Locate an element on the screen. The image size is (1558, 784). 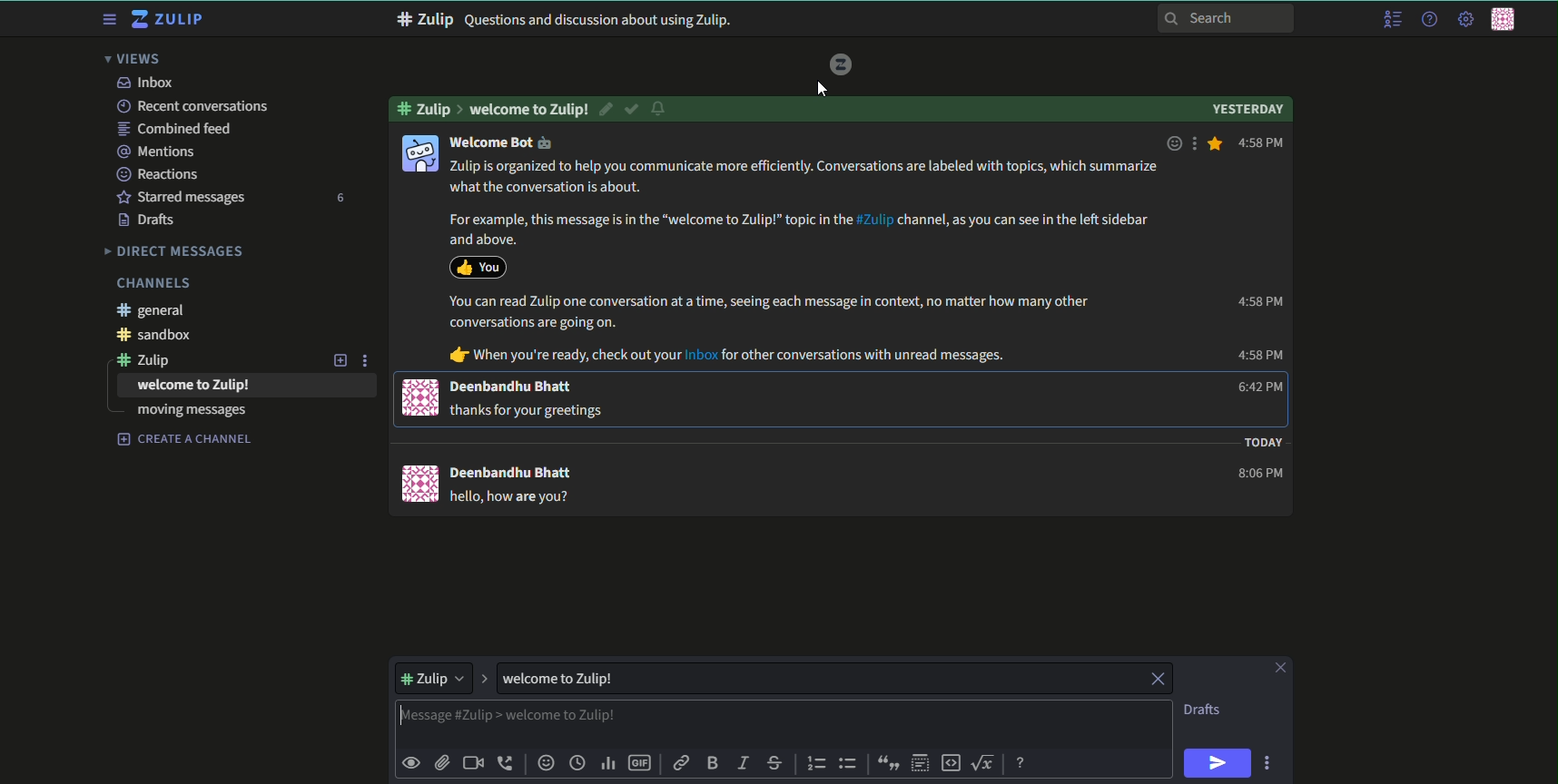
close is located at coordinates (1278, 668).